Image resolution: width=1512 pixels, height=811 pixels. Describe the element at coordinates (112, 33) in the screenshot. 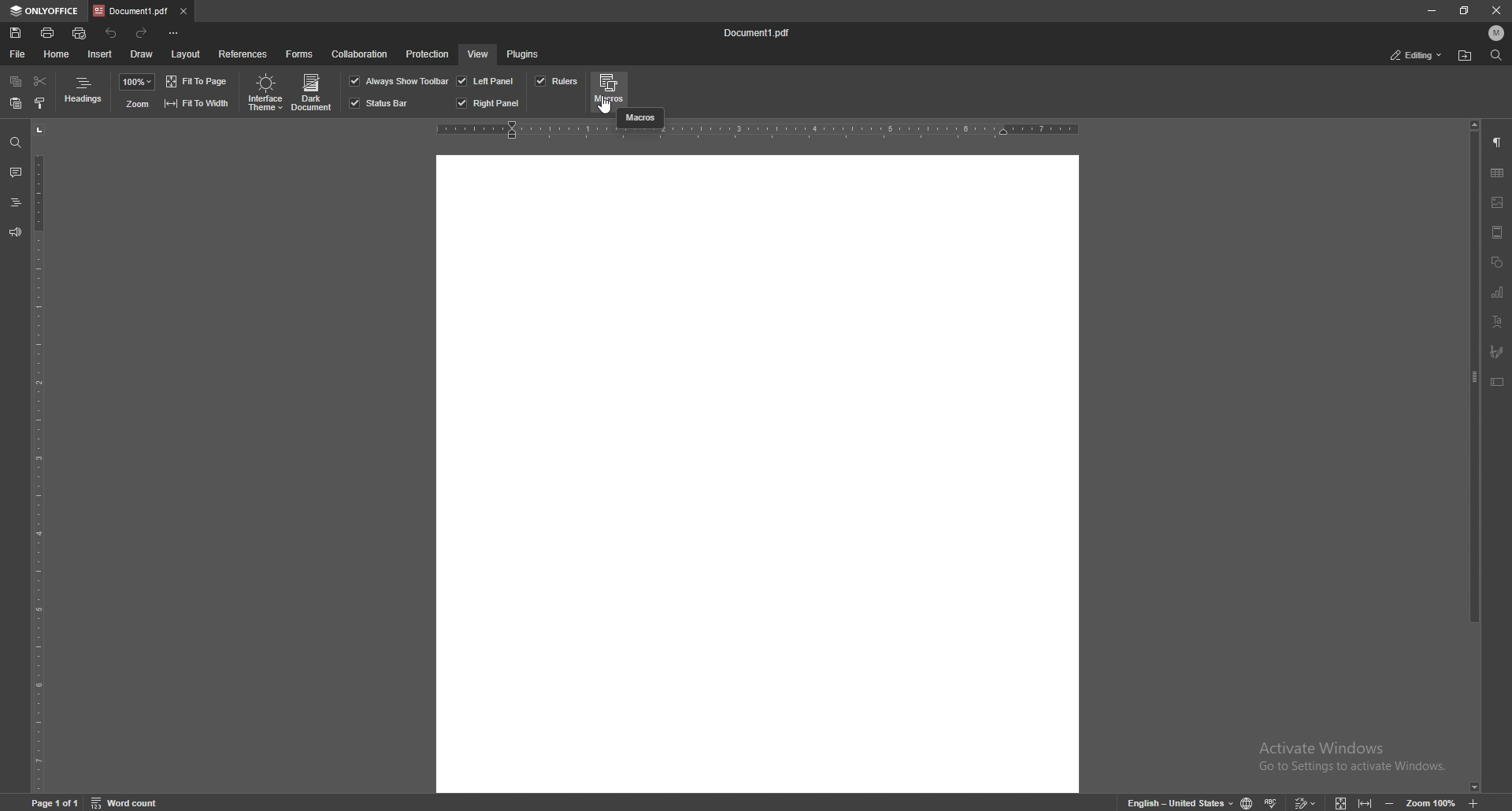

I see `undo` at that location.